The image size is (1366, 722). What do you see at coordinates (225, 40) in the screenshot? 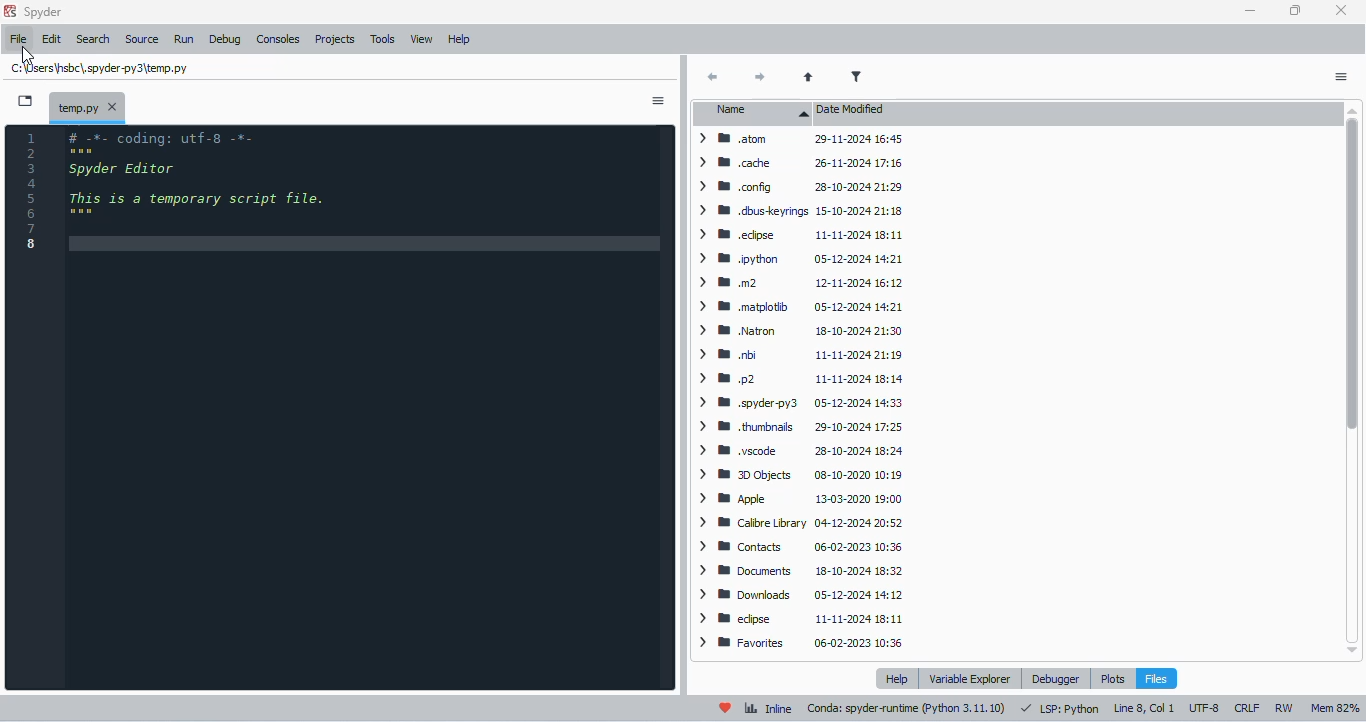
I see `debug` at bounding box center [225, 40].